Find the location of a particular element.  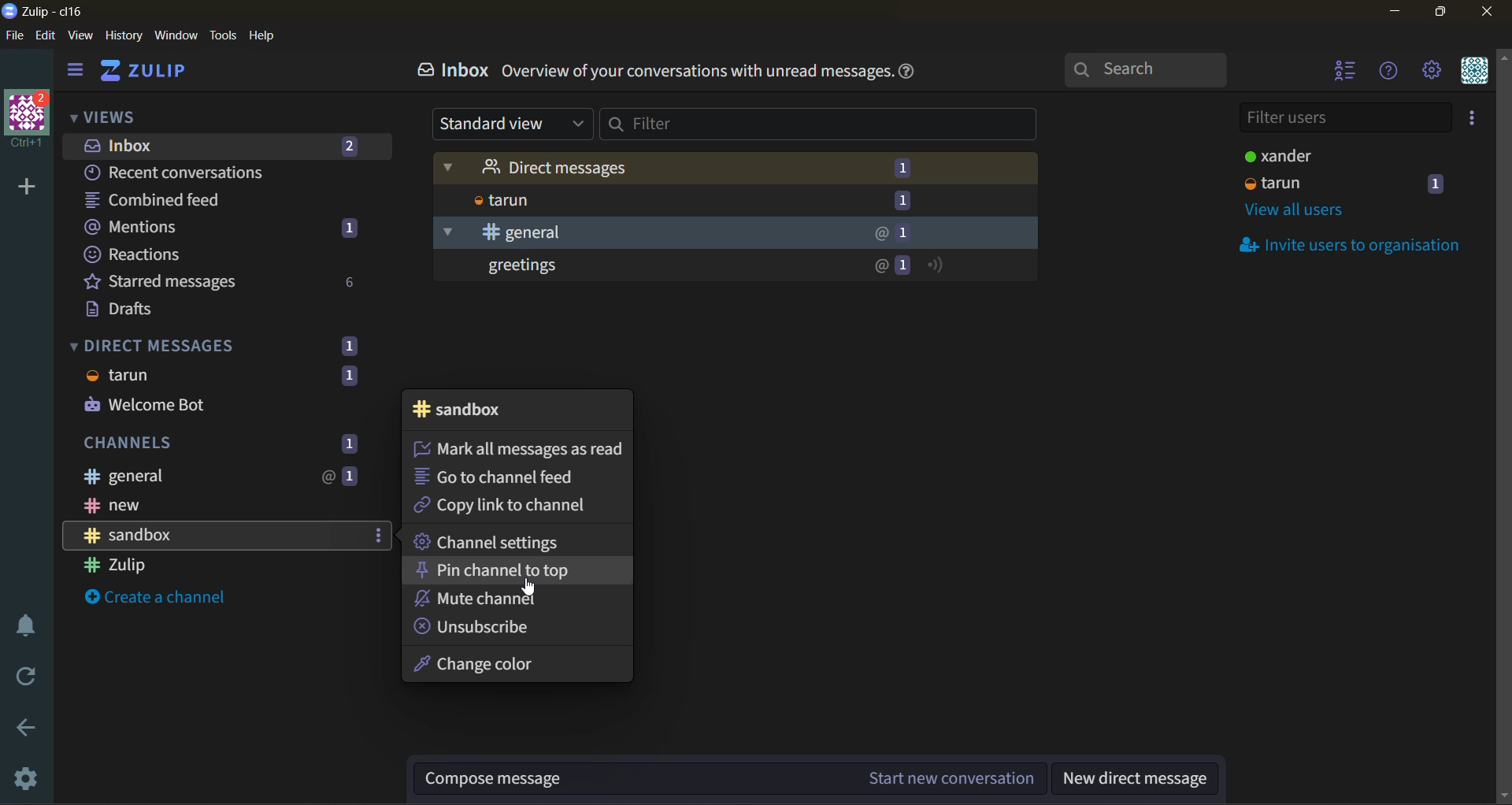

channel settings is located at coordinates (497, 542).